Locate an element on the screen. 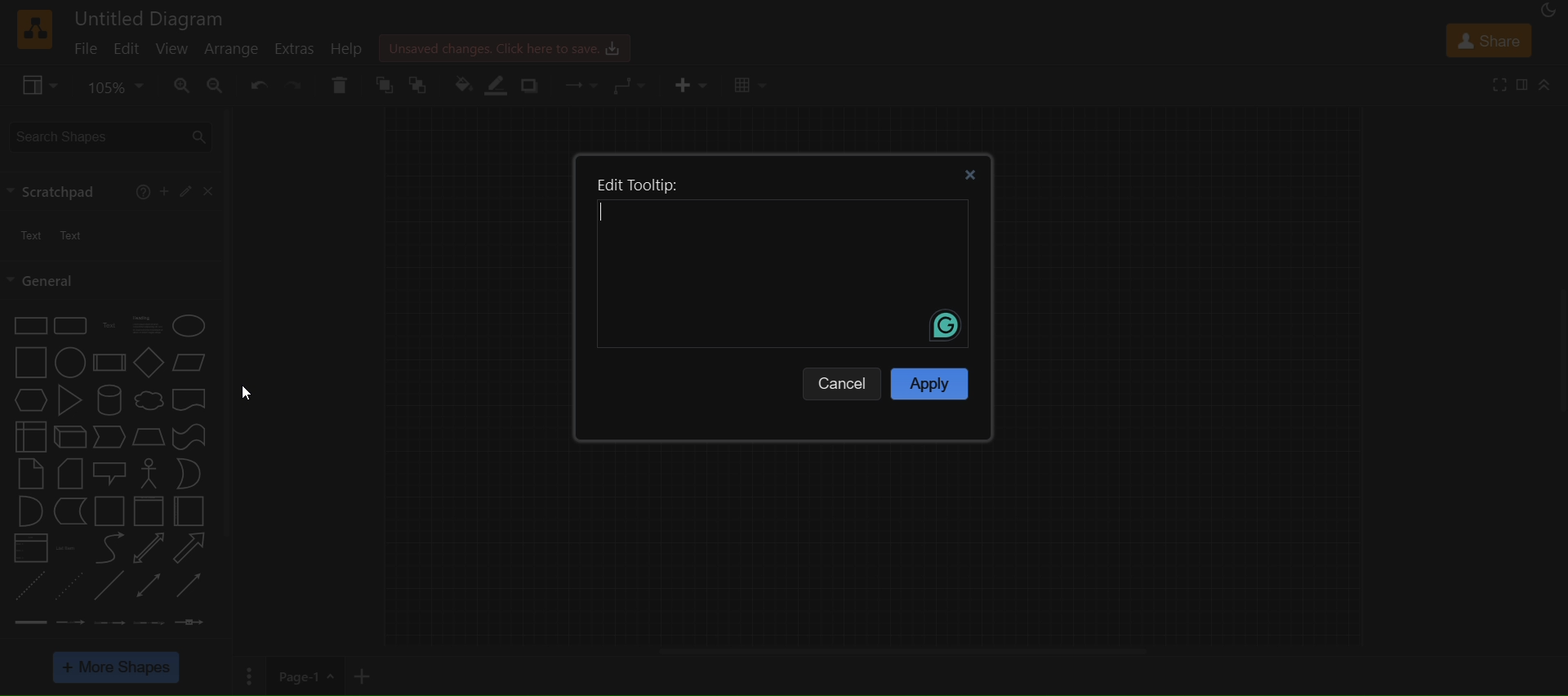 The height and width of the screenshot is (696, 1568). close is located at coordinates (206, 191).